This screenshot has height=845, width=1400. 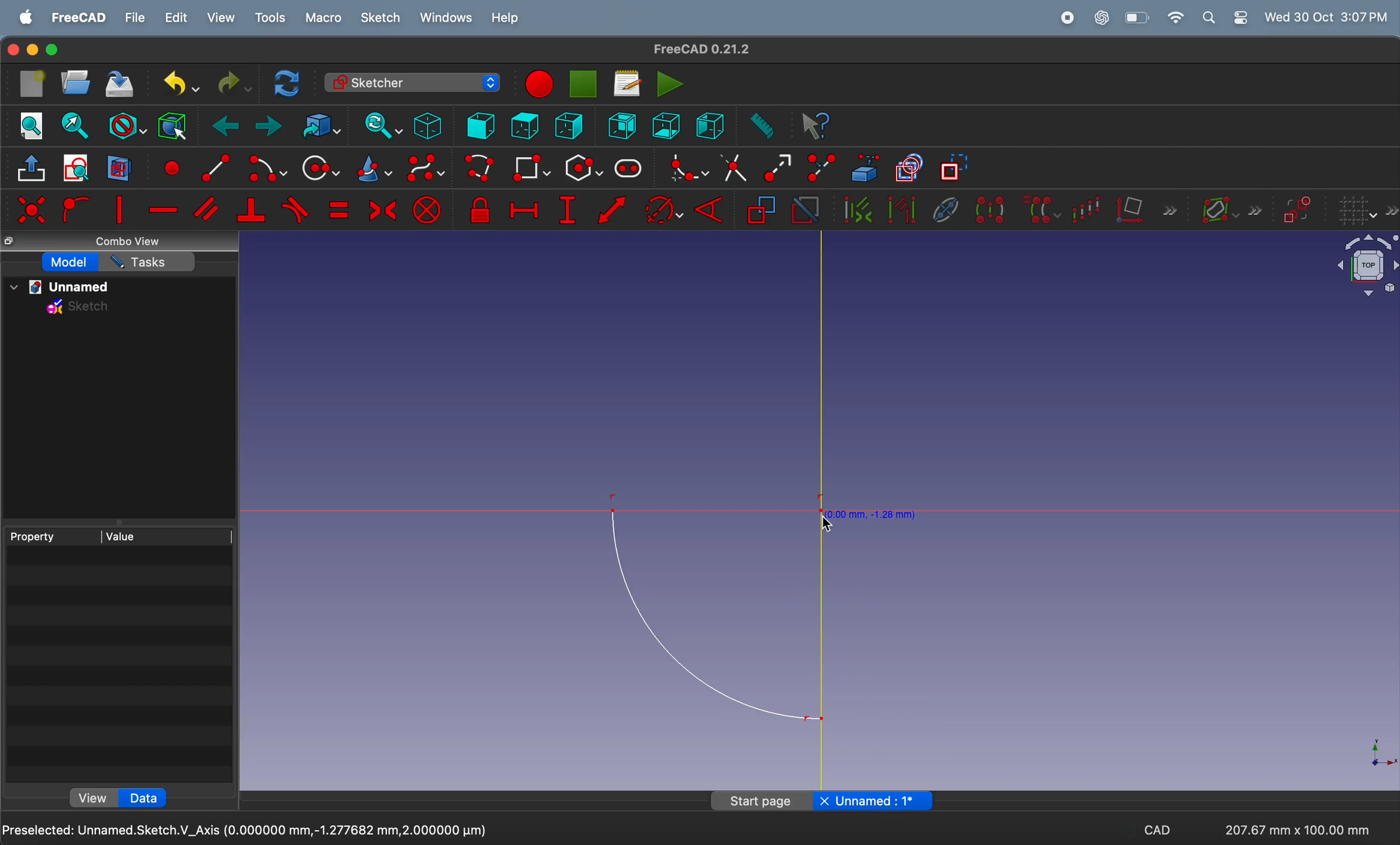 What do you see at coordinates (168, 535) in the screenshot?
I see `value` at bounding box center [168, 535].